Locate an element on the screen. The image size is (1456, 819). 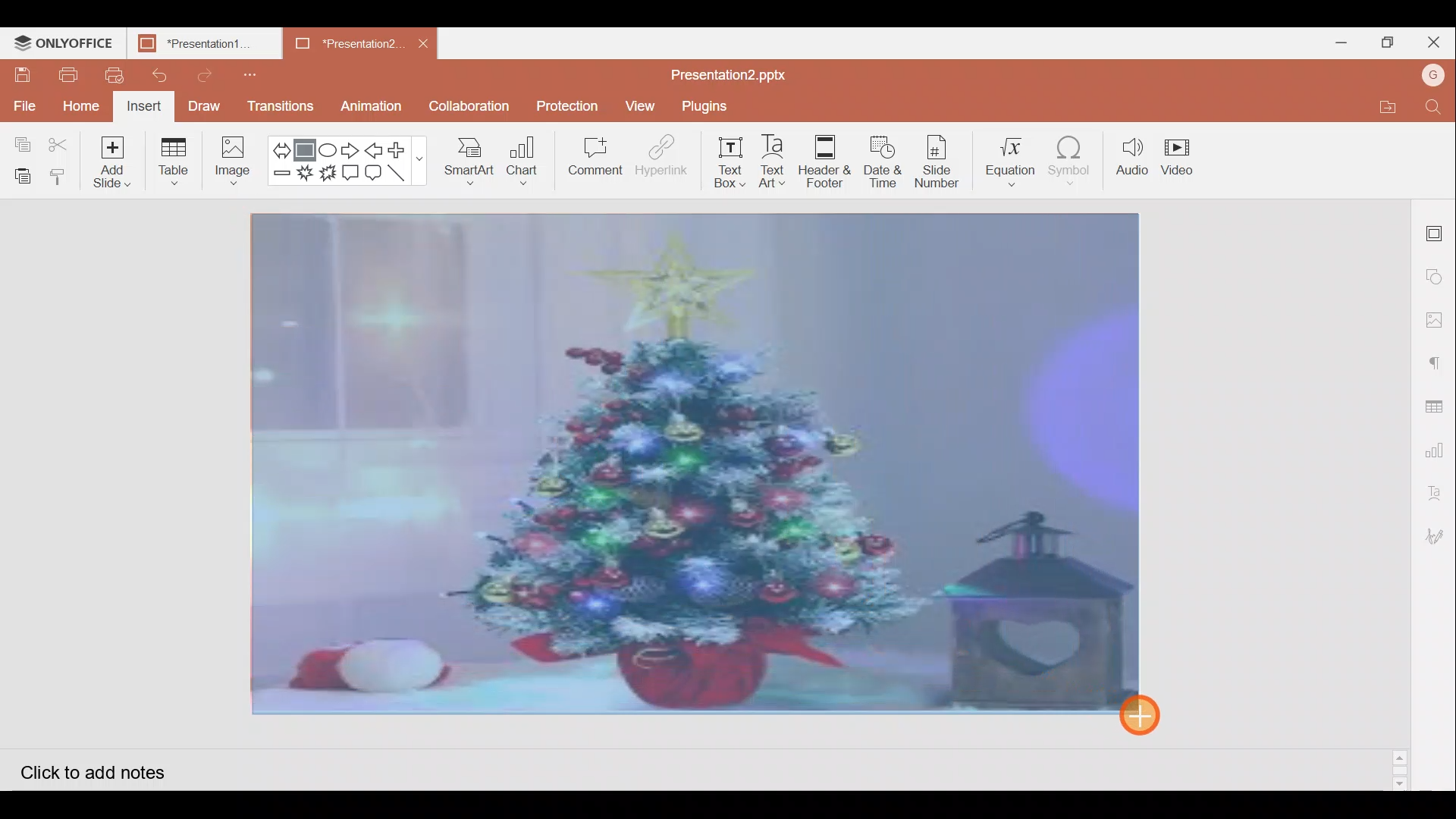
Close is located at coordinates (1434, 41).